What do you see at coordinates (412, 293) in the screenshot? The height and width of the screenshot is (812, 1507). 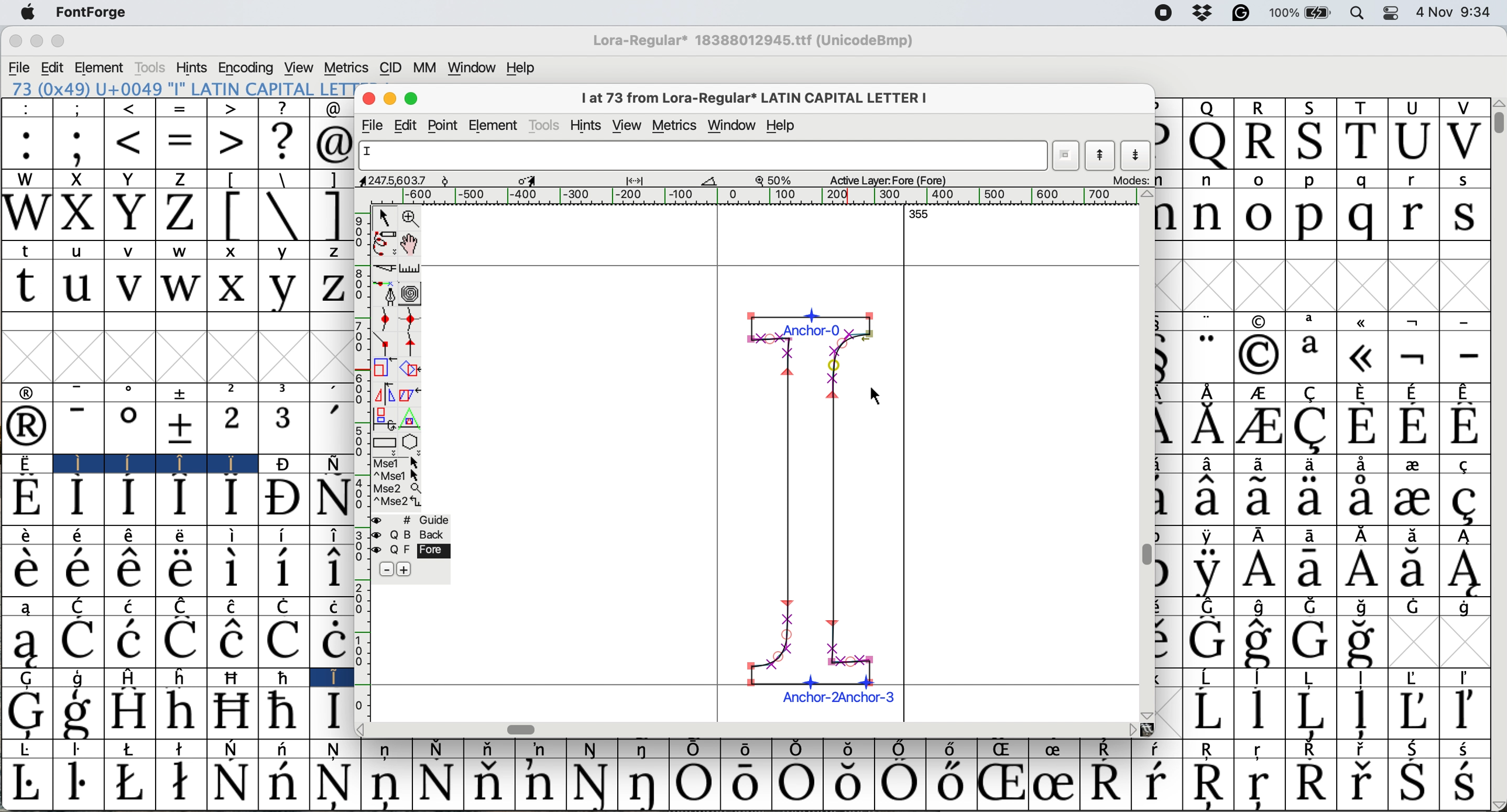 I see `change whether spiro is active or not` at bounding box center [412, 293].